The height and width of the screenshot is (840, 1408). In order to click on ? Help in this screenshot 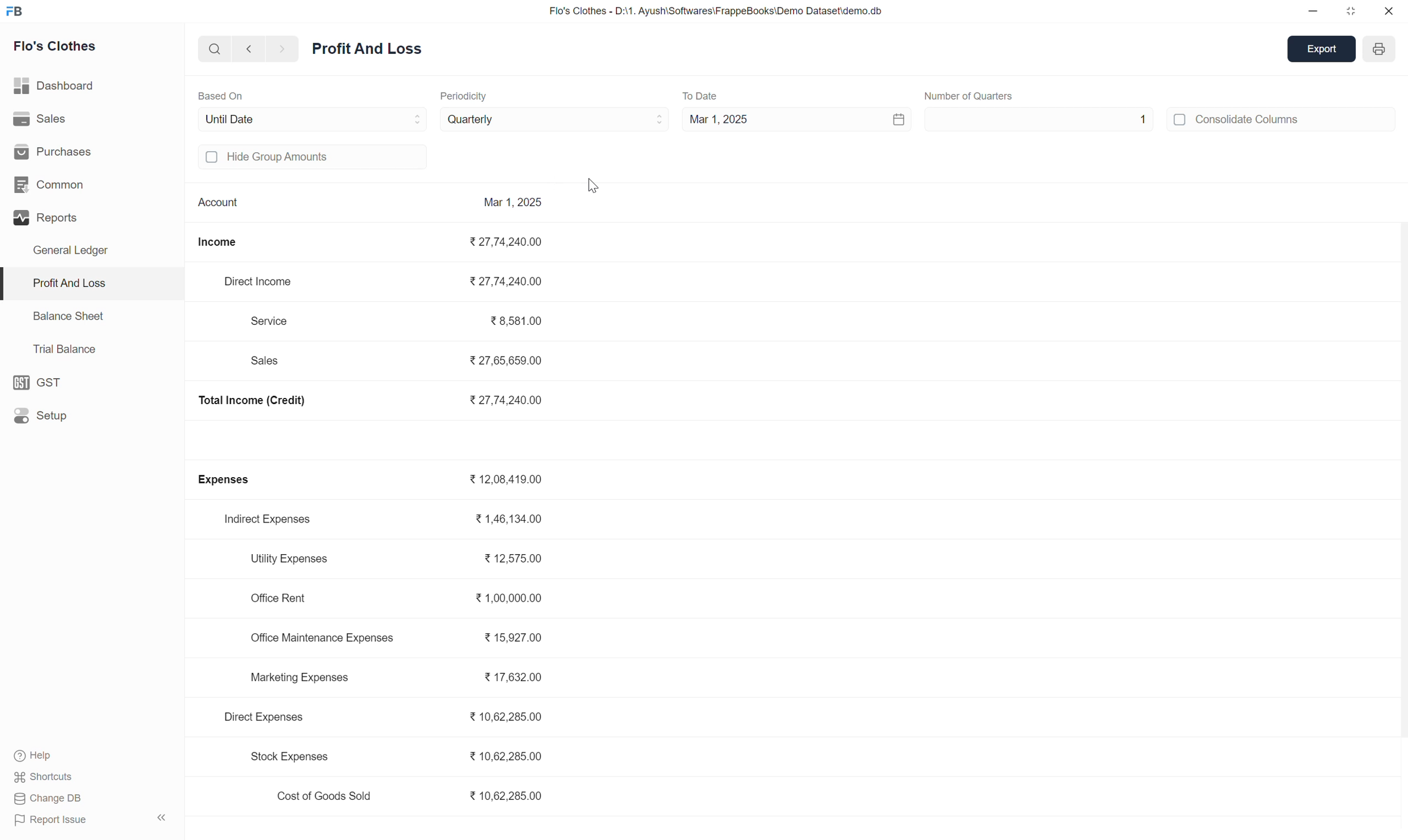, I will do `click(41, 752)`.